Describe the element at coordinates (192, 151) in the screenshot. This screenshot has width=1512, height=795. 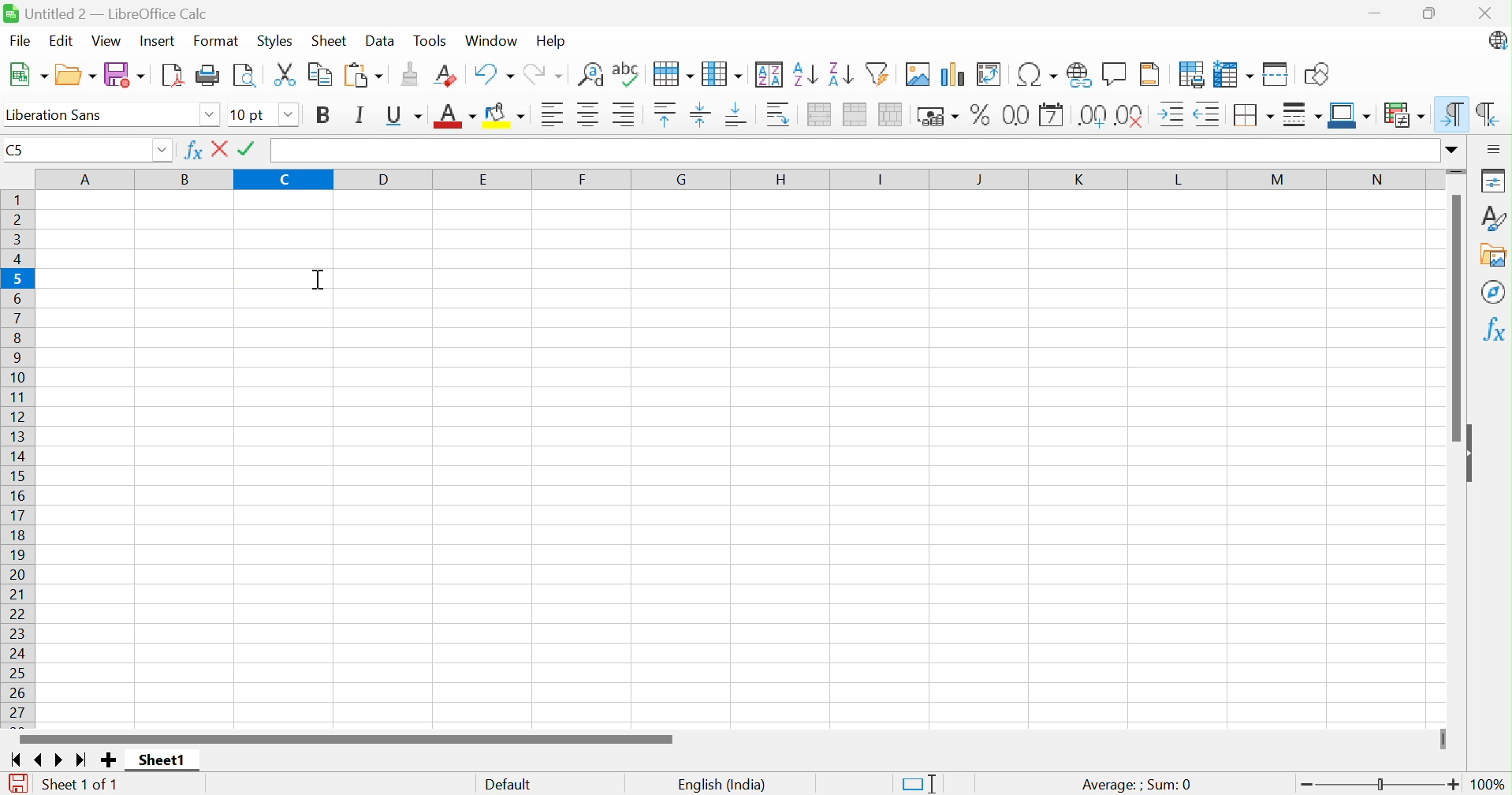
I see `Function wizard` at that location.